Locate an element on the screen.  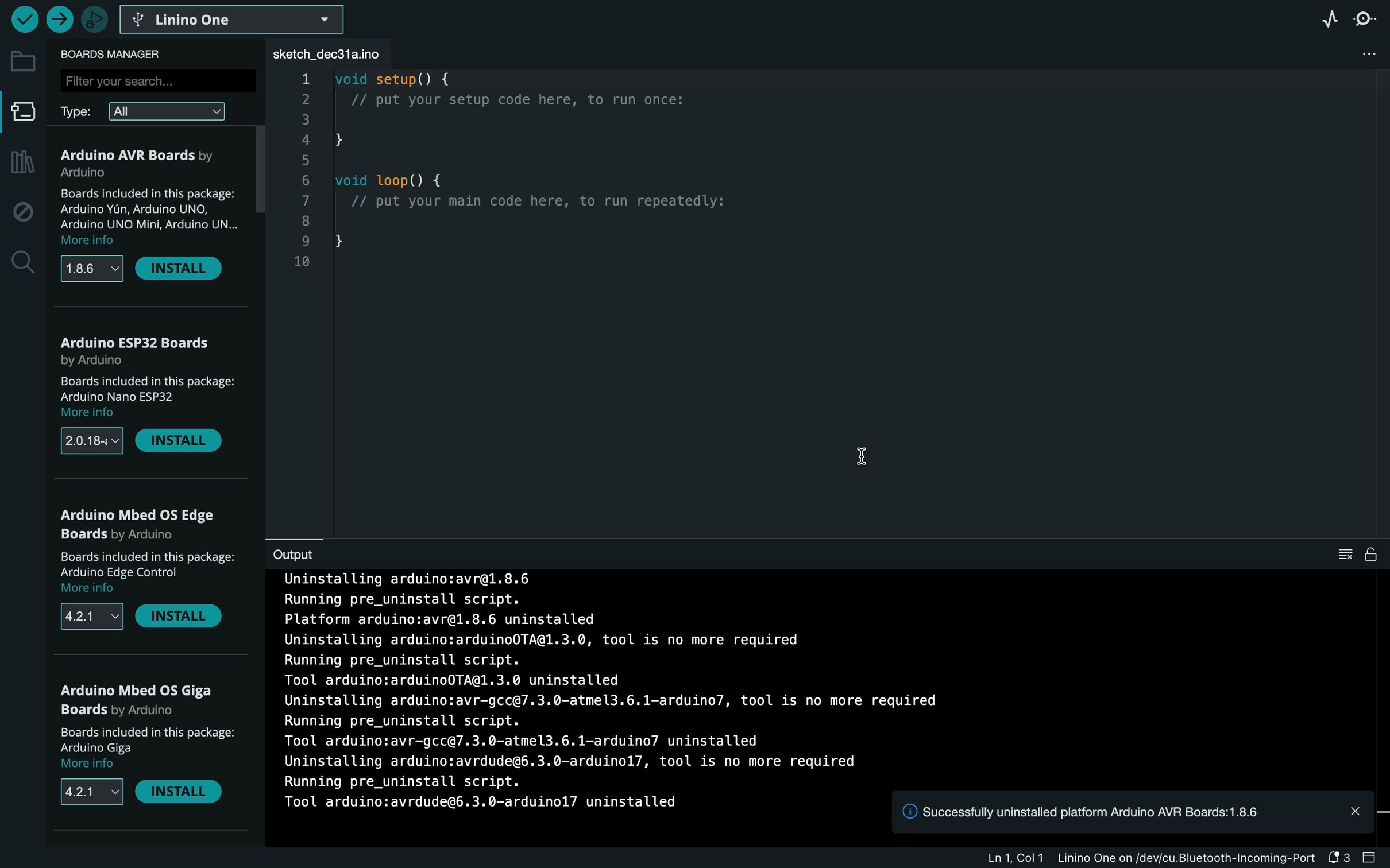
arduino ESP32 is located at coordinates (141, 354).